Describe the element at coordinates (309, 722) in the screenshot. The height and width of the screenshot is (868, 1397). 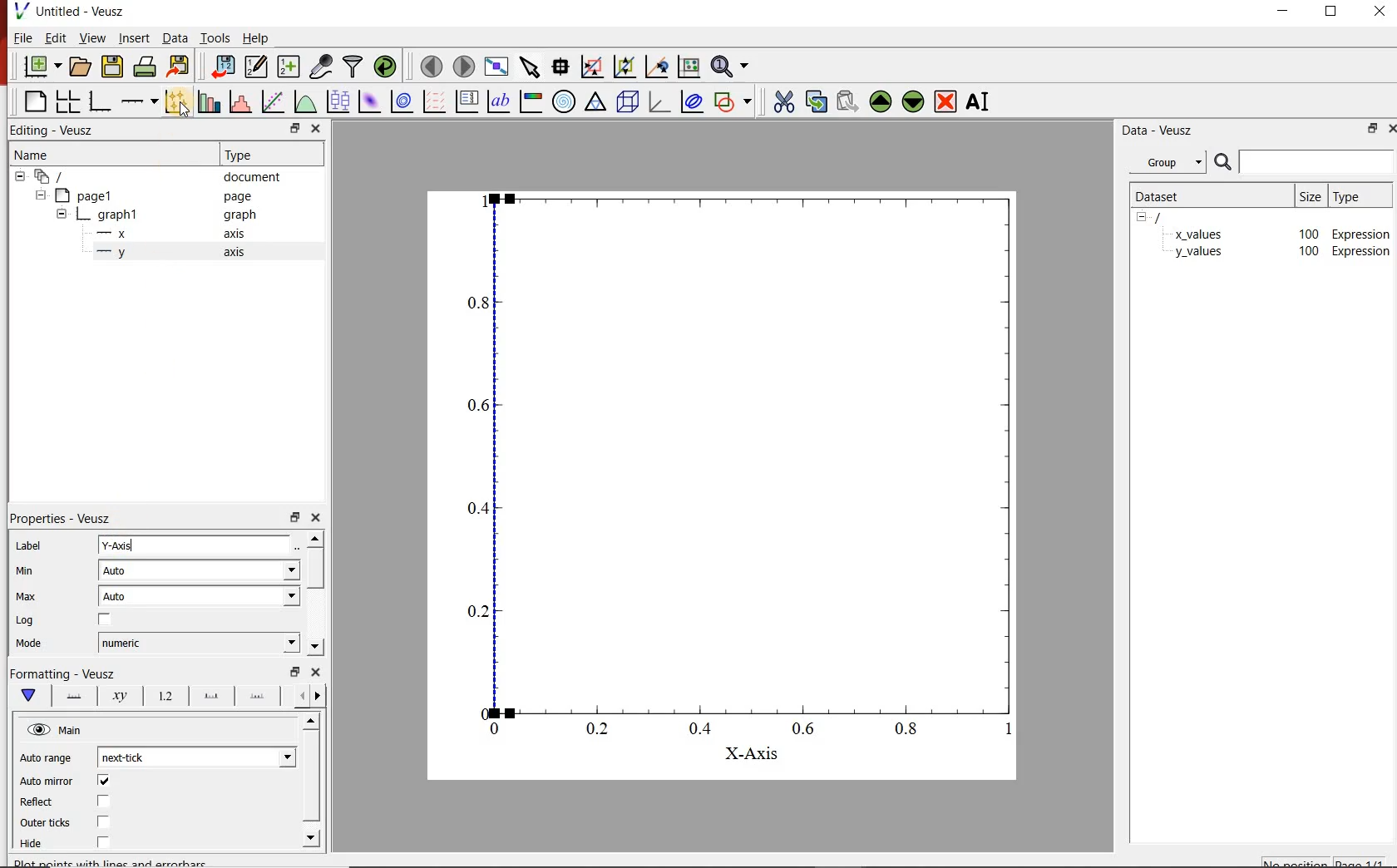
I see `move up` at that location.